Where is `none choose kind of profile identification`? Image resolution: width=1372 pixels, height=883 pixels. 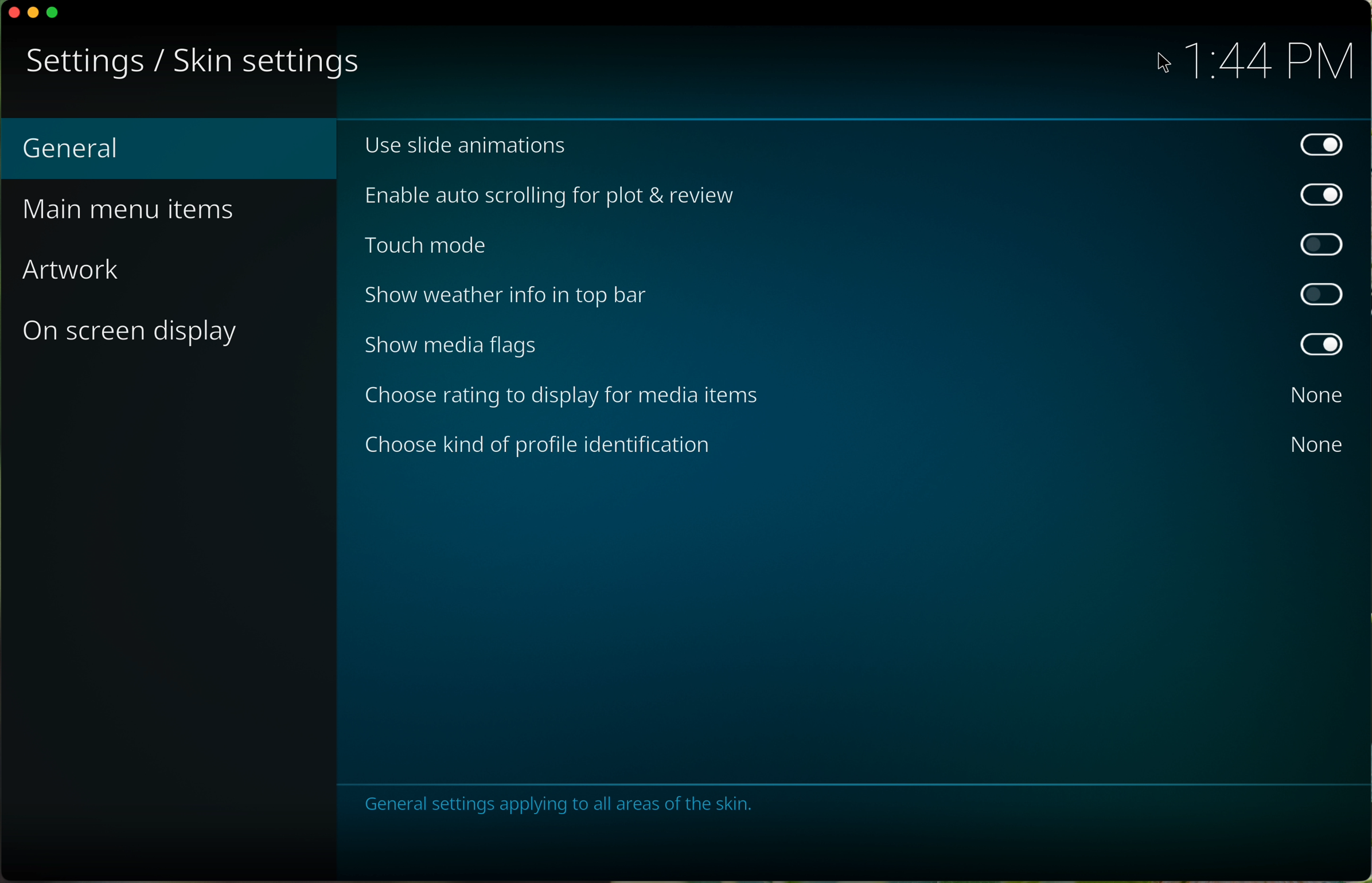
none choose kind of profile identification is located at coordinates (849, 444).